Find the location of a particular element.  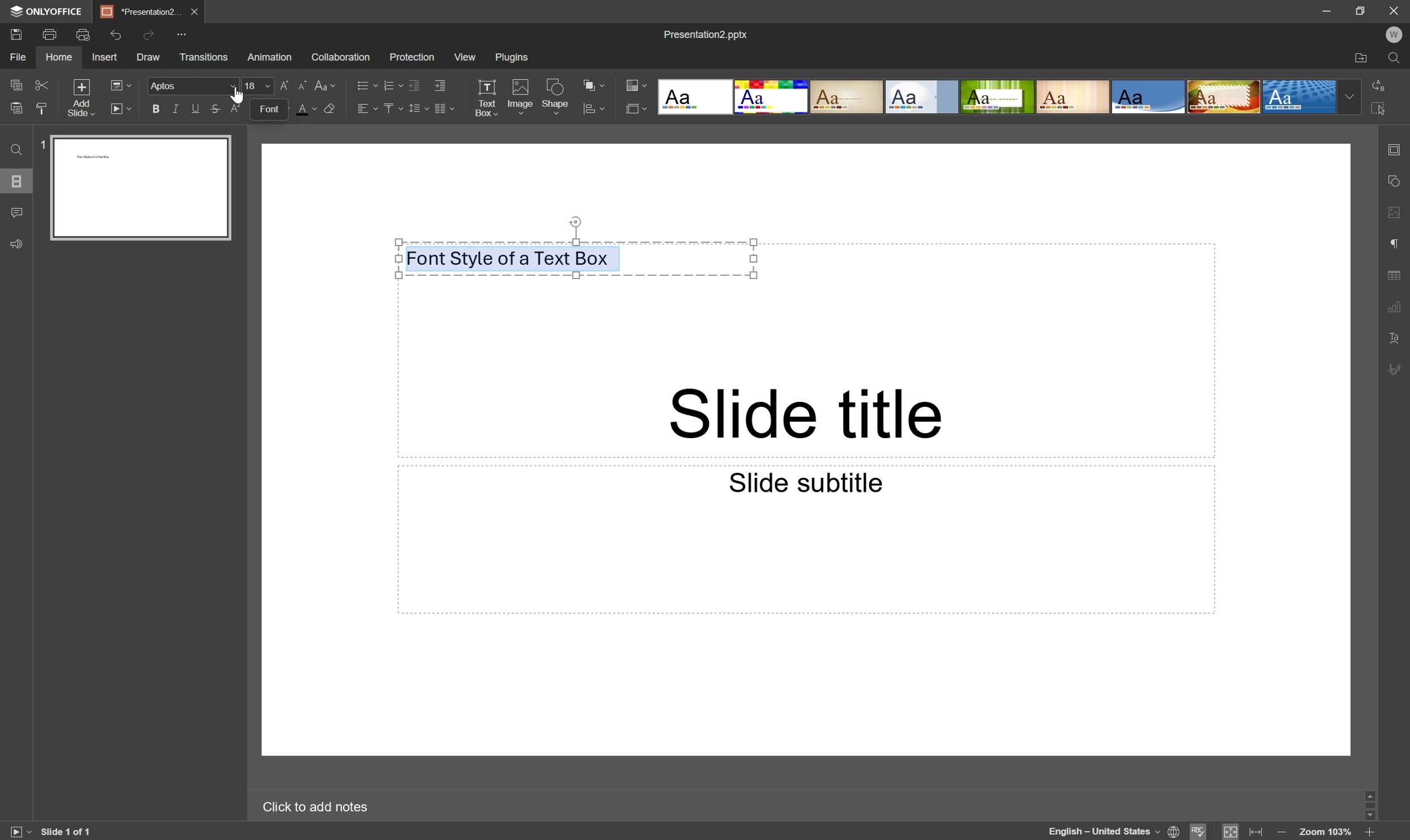

Line spacing is located at coordinates (418, 108).